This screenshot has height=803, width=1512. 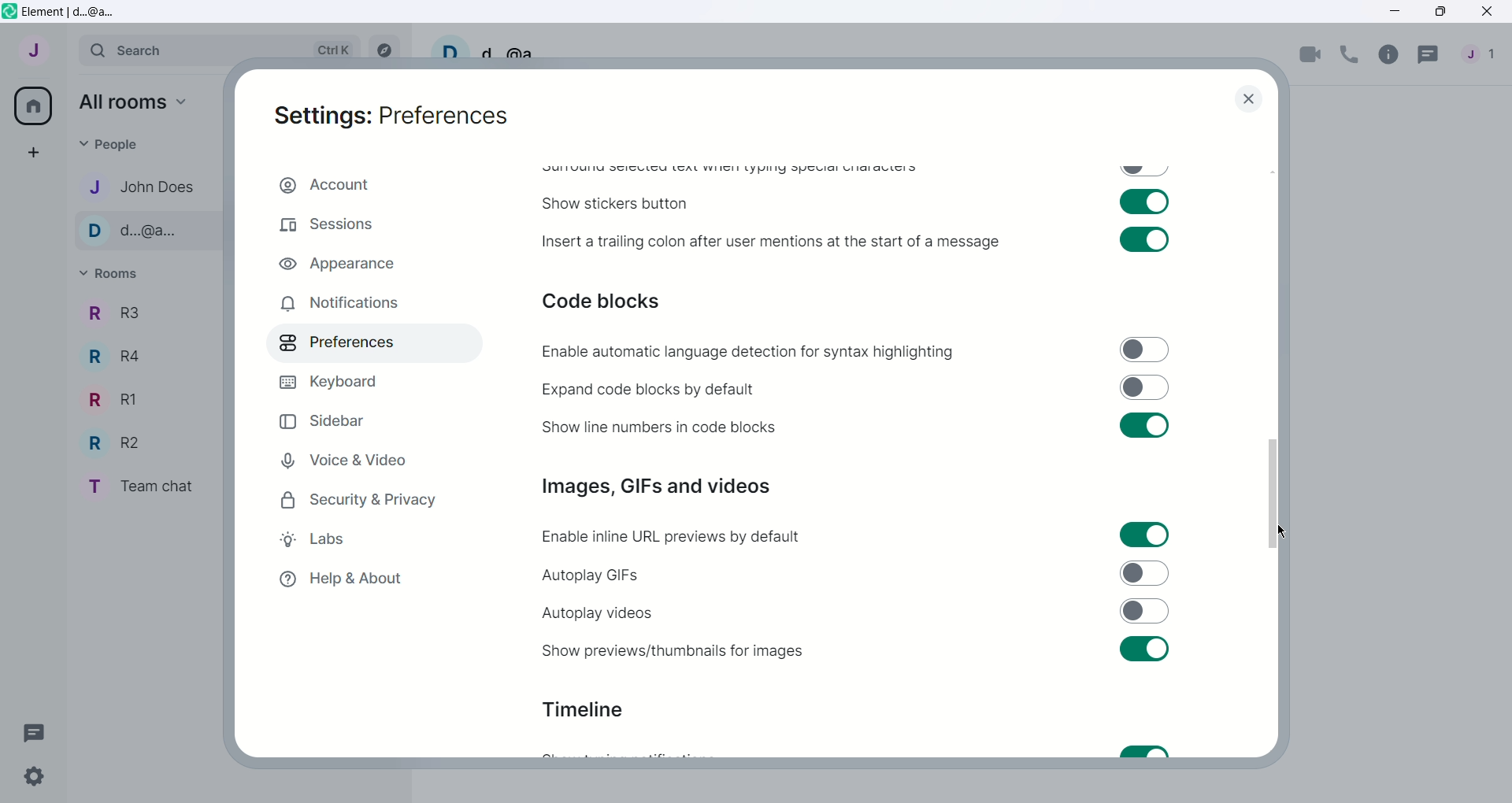 What do you see at coordinates (391, 117) in the screenshot?
I see `Settings: Preferences` at bounding box center [391, 117].